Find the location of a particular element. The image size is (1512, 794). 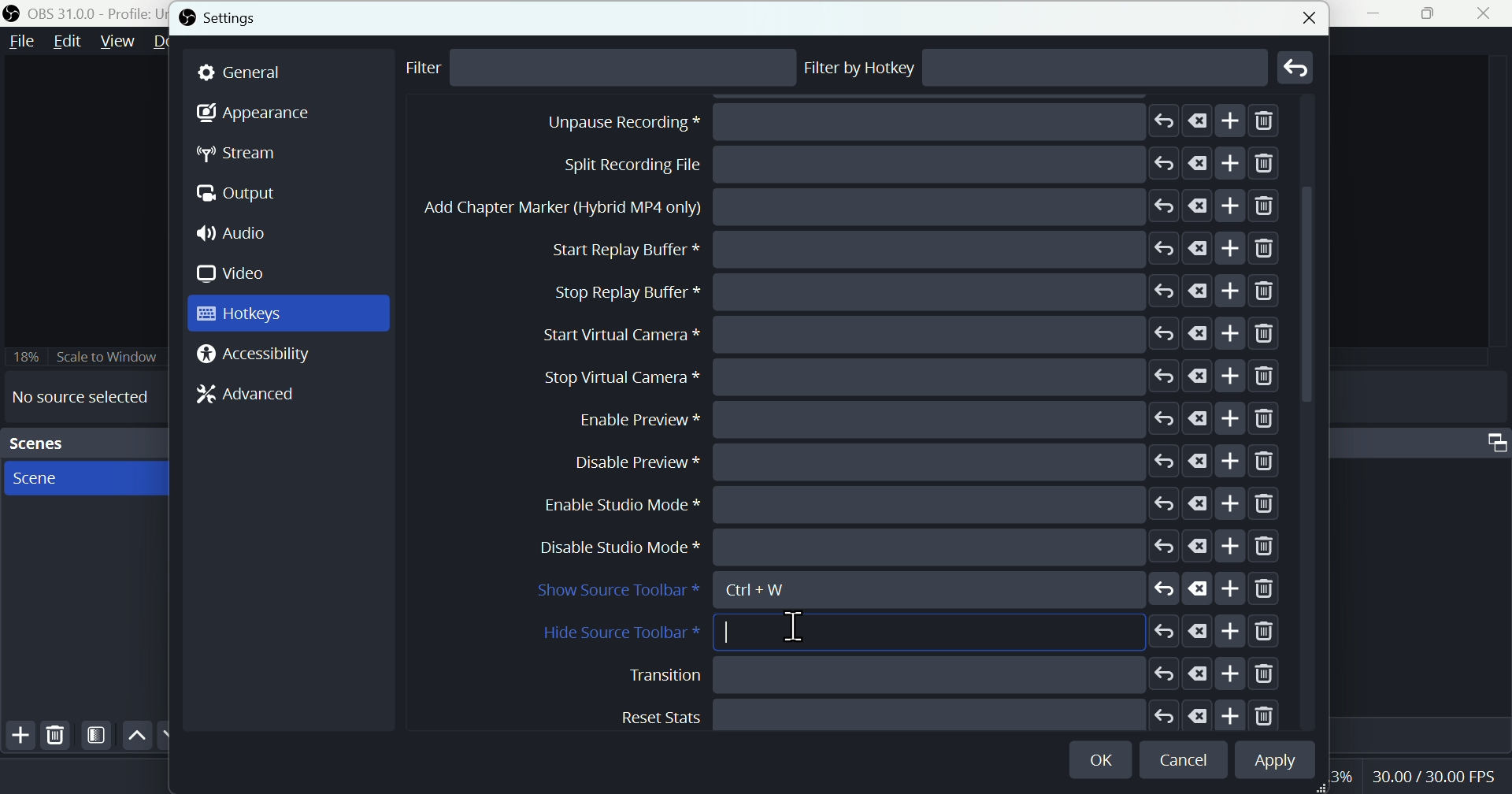

Filter by hotkey is located at coordinates (861, 68).